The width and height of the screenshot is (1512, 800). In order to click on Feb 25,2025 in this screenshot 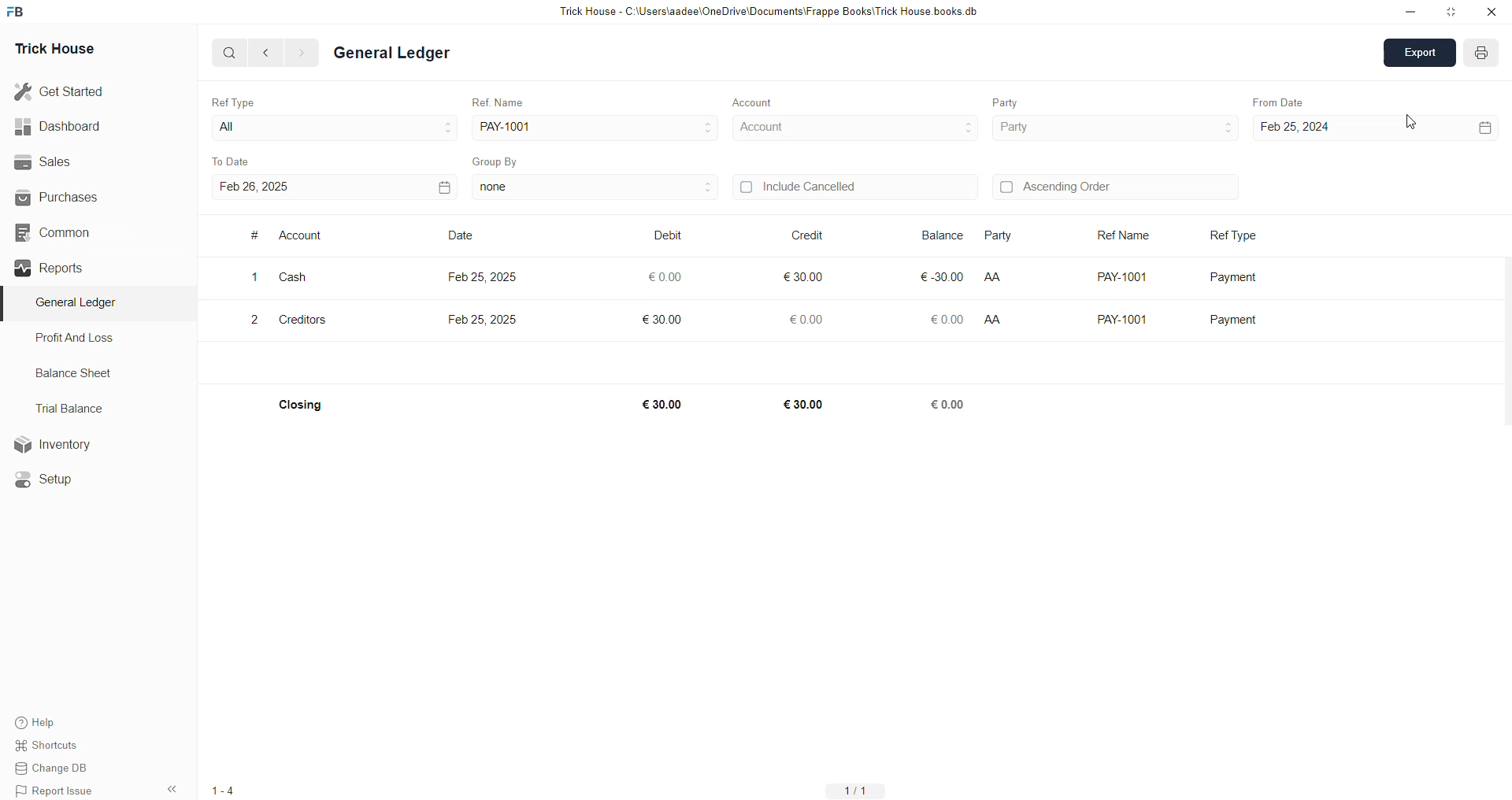, I will do `click(485, 277)`.